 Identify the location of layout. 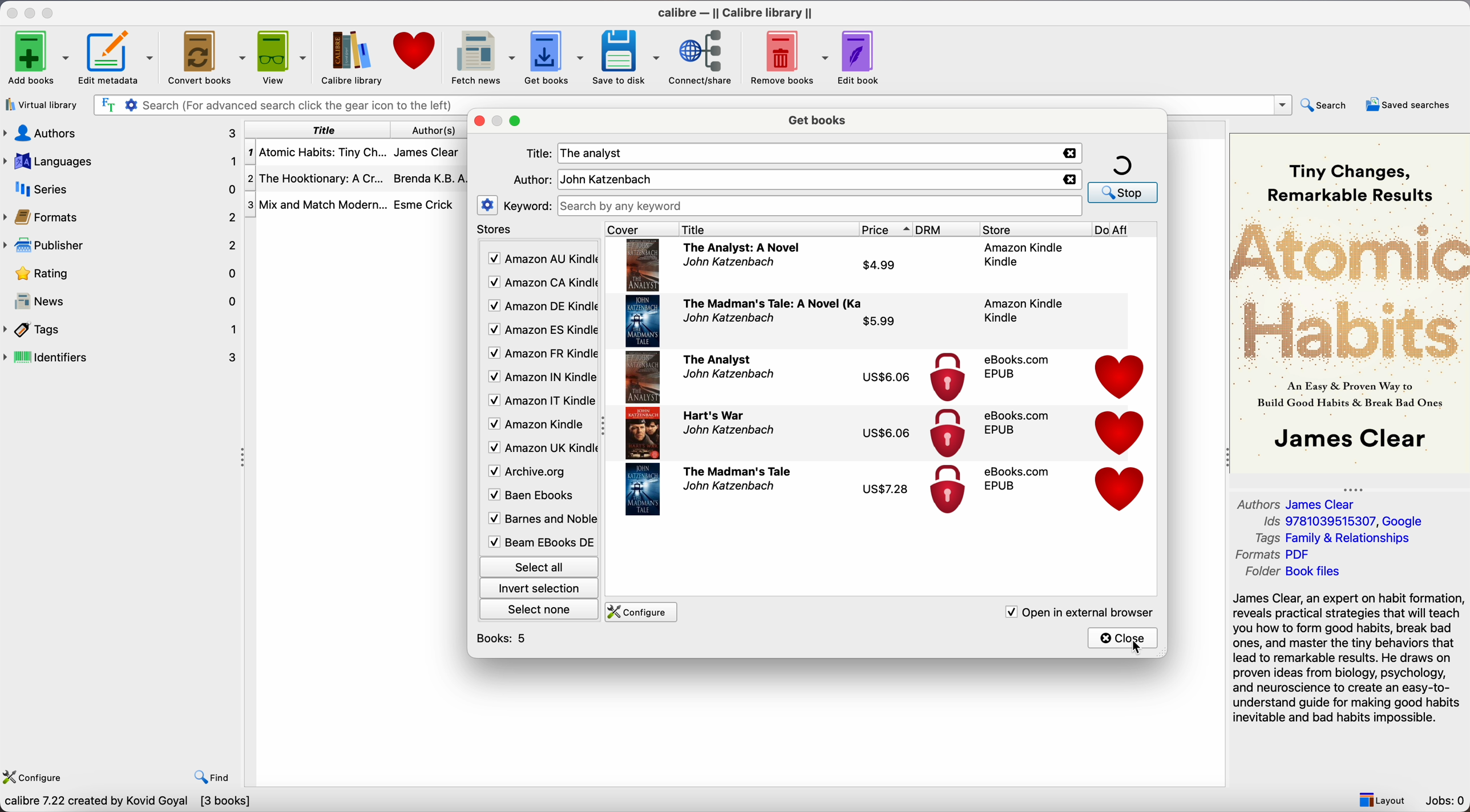
(1382, 800).